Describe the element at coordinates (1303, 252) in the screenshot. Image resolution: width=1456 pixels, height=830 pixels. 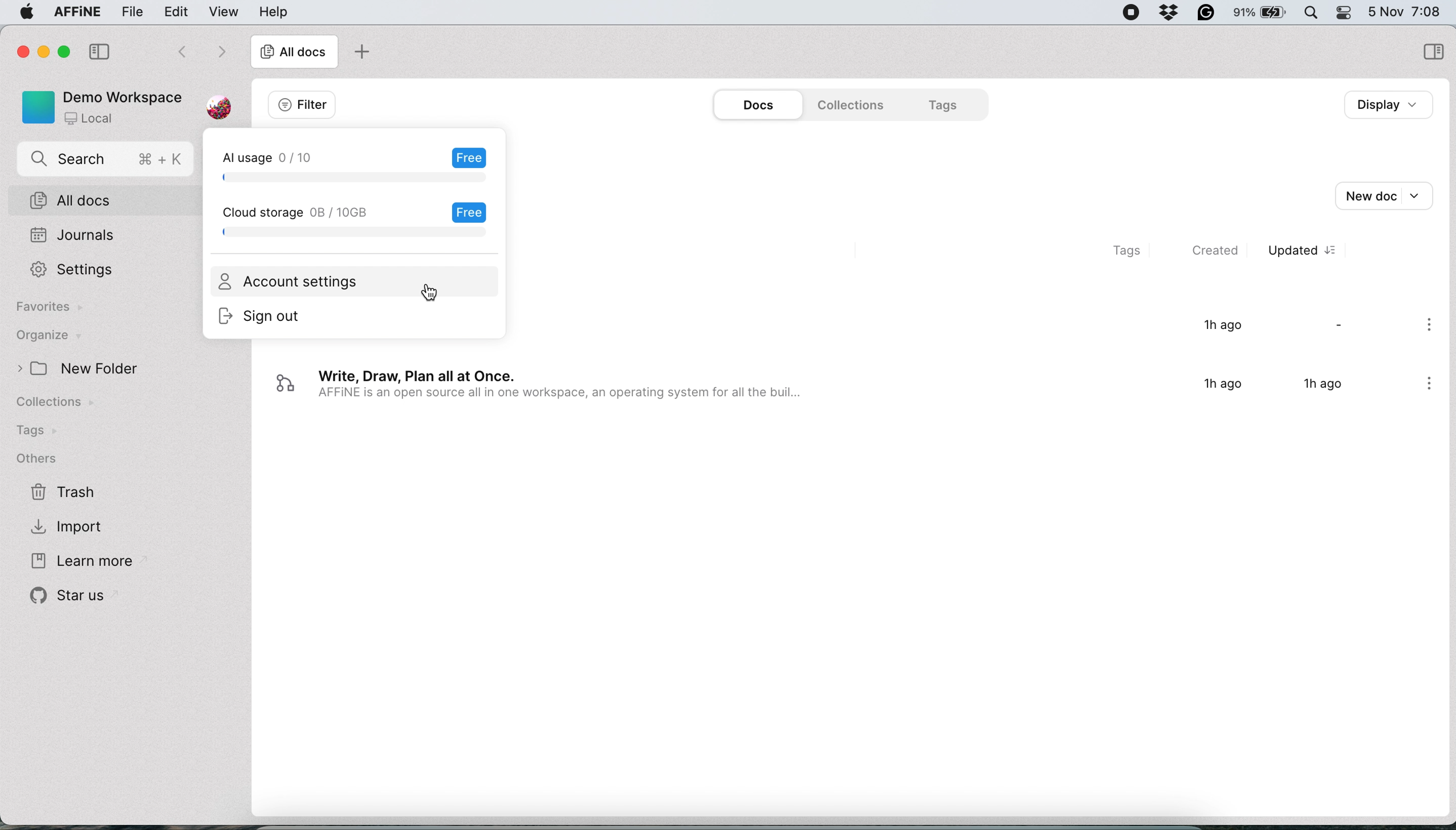
I see `updated` at that location.